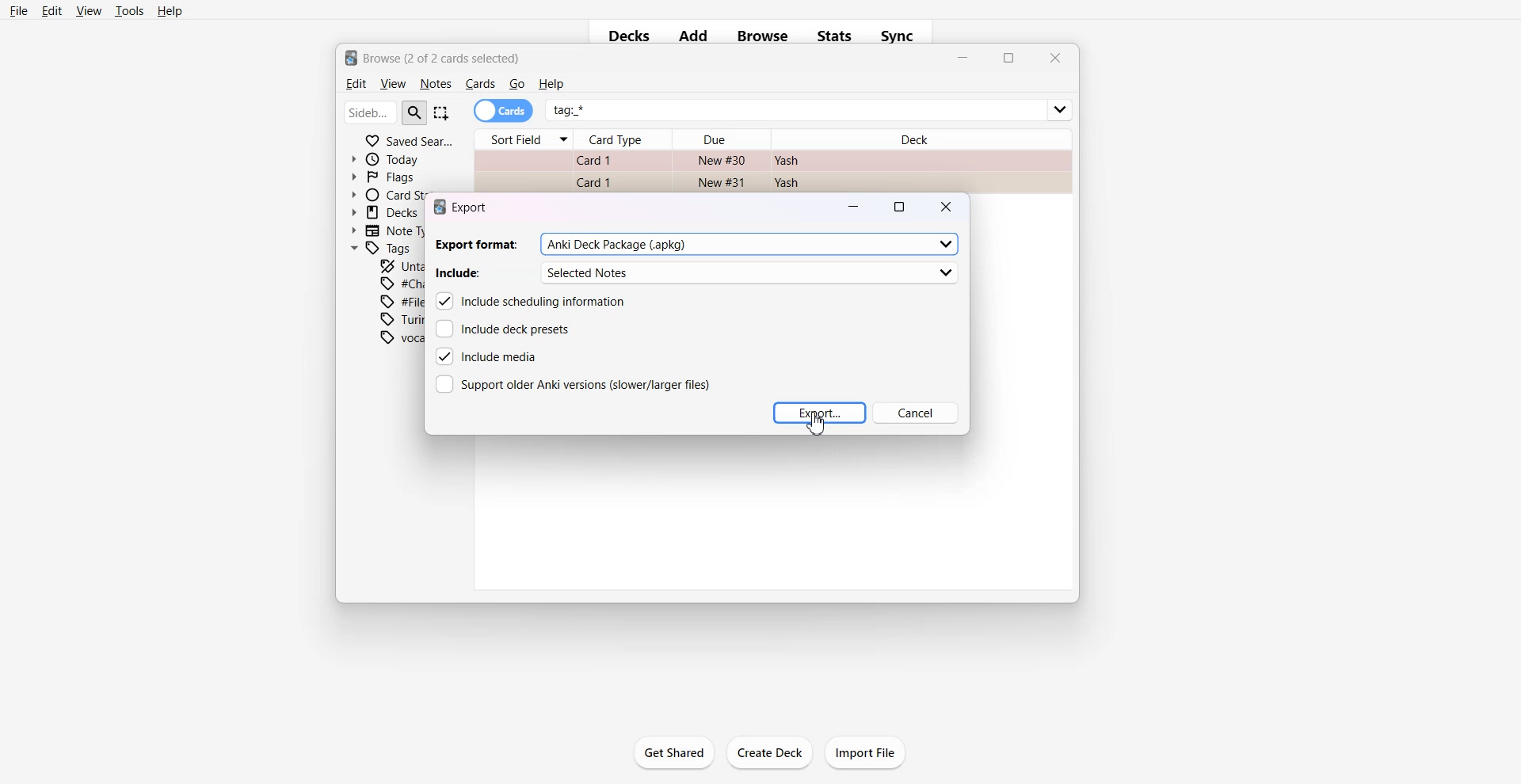 This screenshot has height=784, width=1521. I want to click on Cards, so click(480, 84).